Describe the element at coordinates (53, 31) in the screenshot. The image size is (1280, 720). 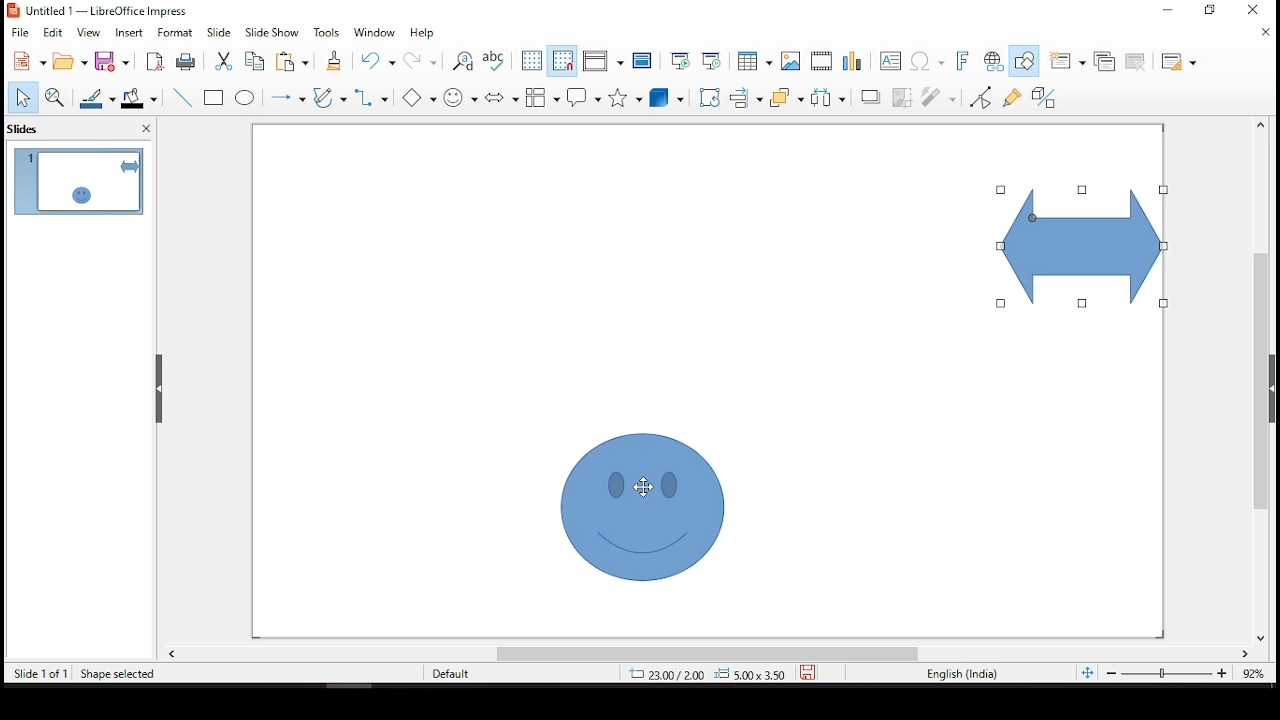
I see `edit` at that location.